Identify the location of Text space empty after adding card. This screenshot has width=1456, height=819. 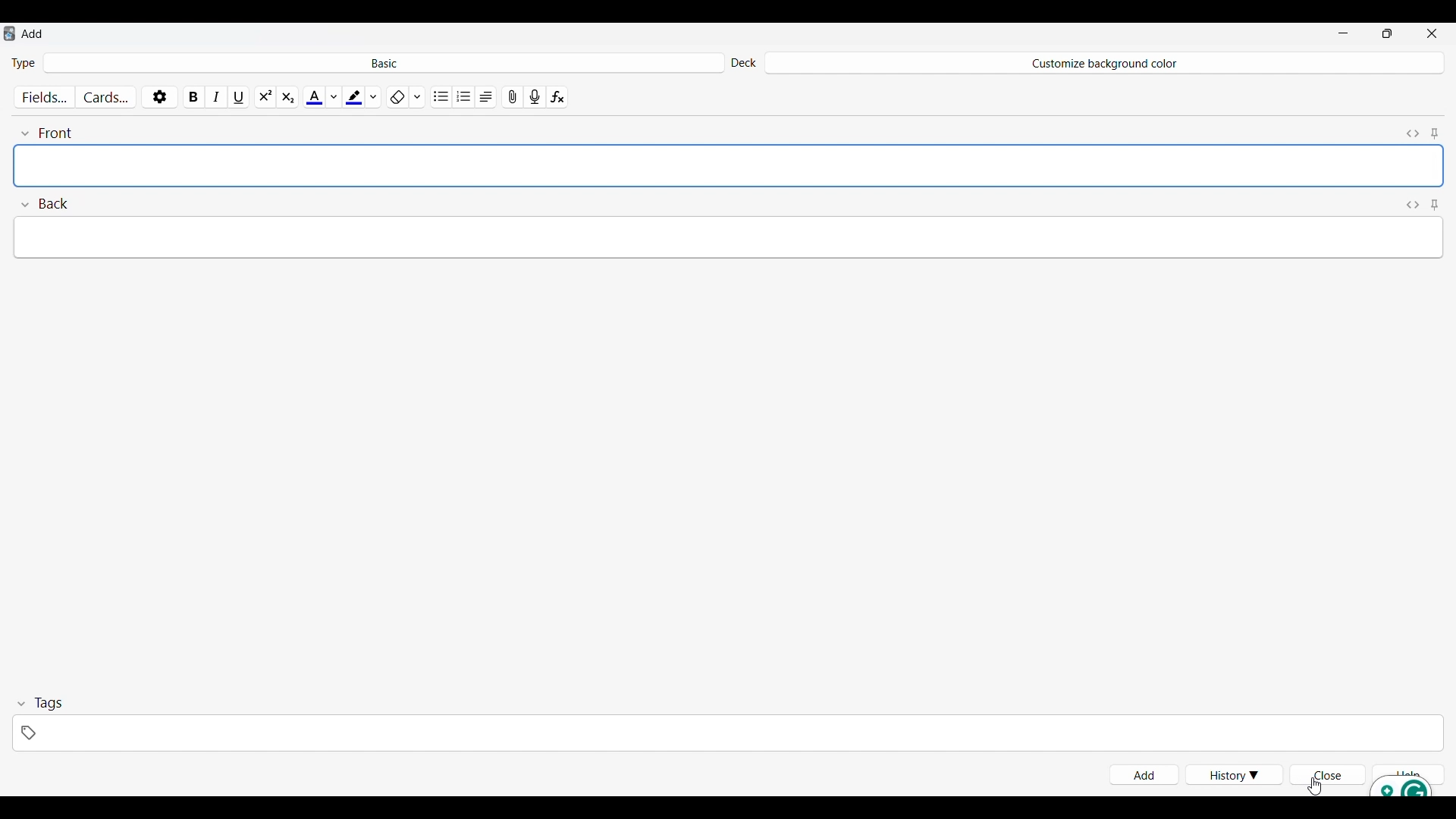
(728, 165).